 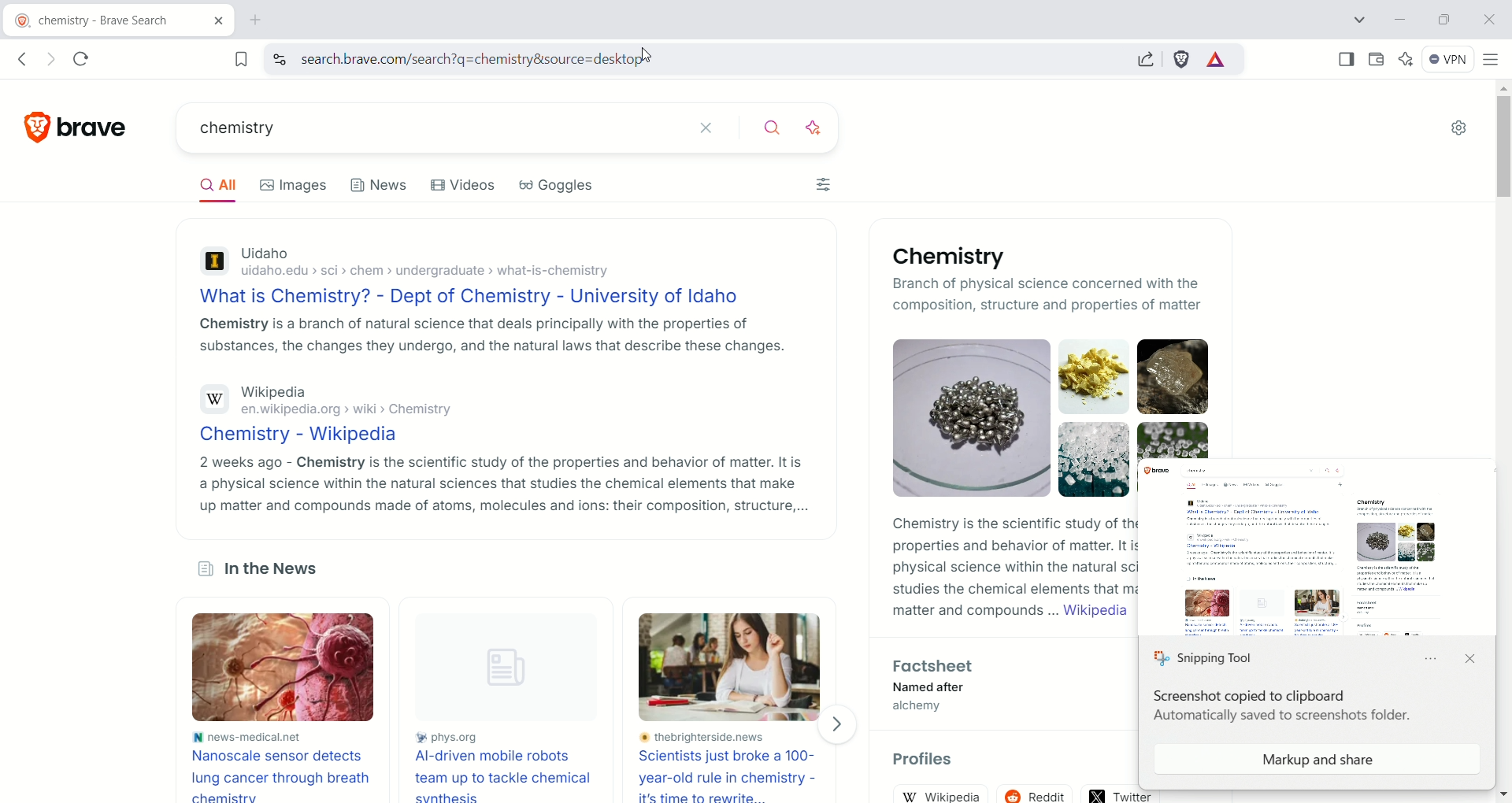 I want to click on brave, so click(x=98, y=122).